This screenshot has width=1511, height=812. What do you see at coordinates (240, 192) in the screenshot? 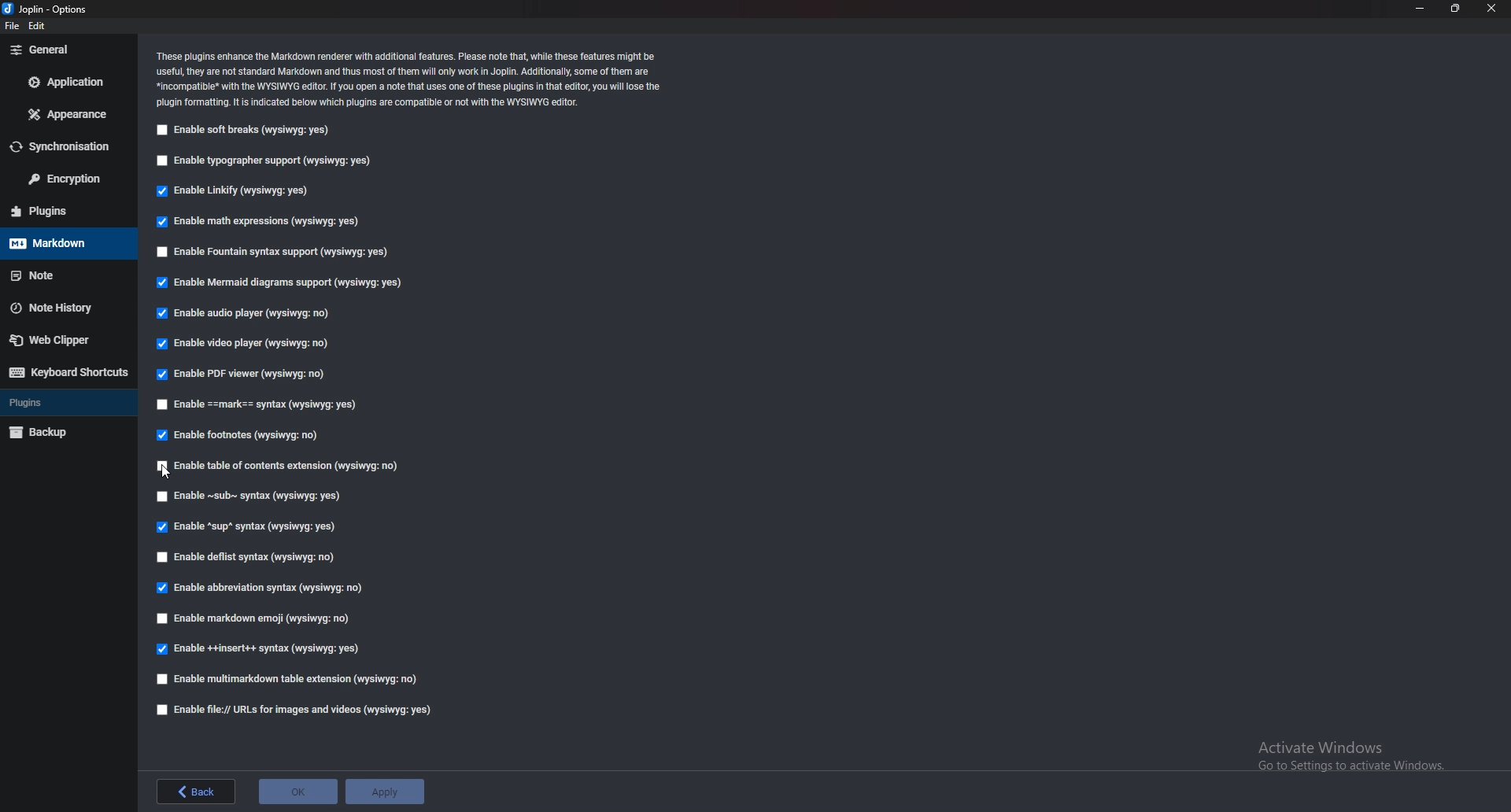
I see `Enable linkify` at bounding box center [240, 192].